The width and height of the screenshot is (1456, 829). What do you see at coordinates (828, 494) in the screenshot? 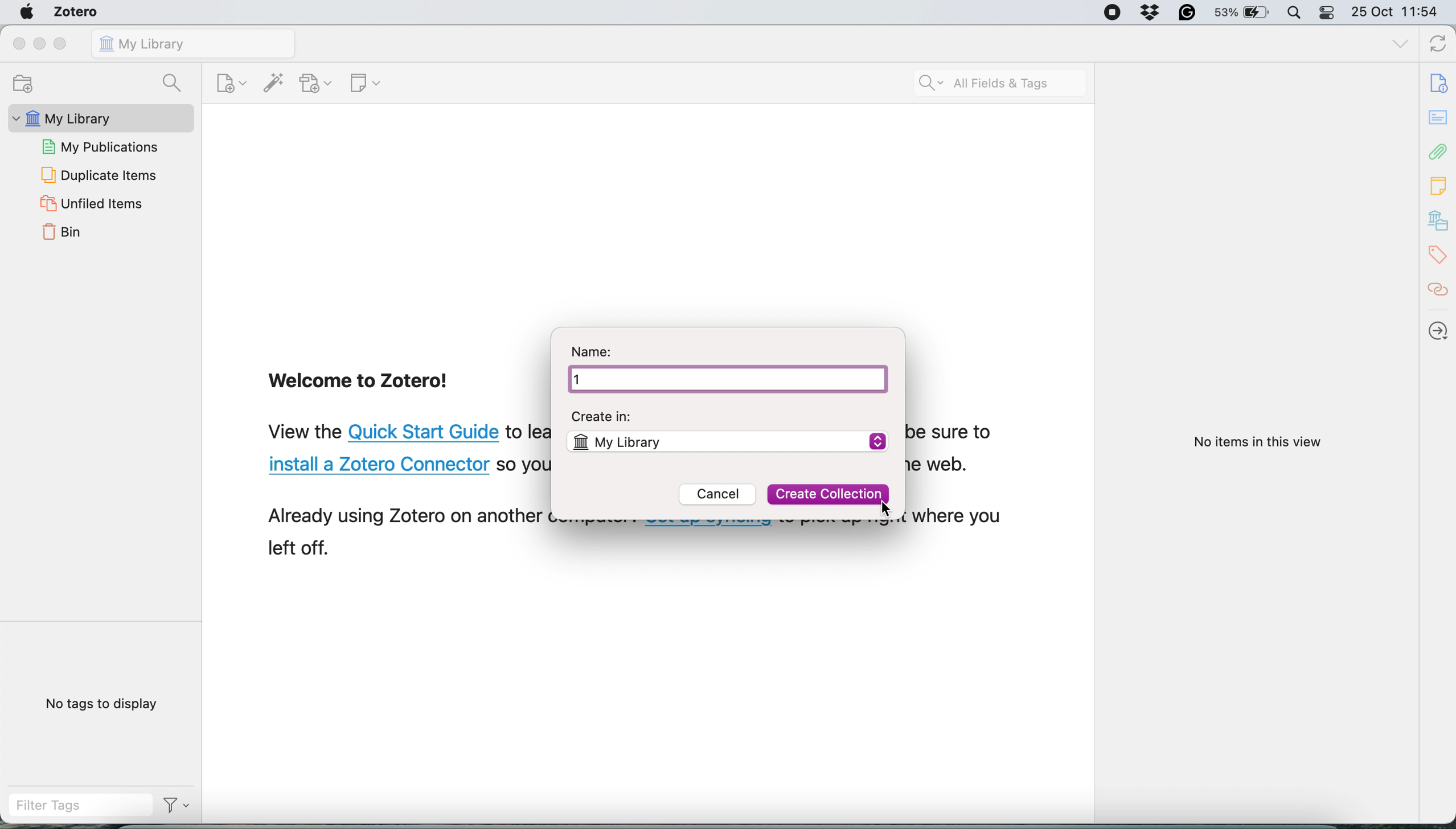
I see `Create Collection` at bounding box center [828, 494].